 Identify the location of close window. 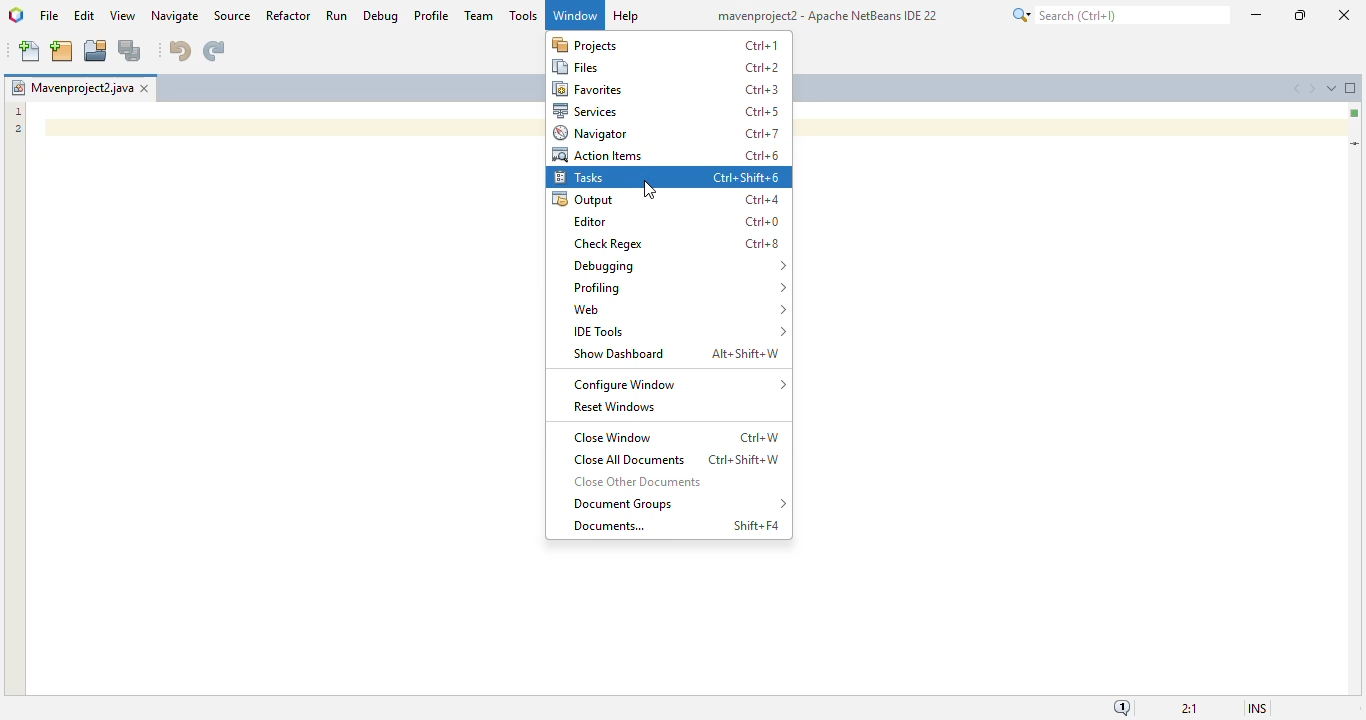
(613, 437).